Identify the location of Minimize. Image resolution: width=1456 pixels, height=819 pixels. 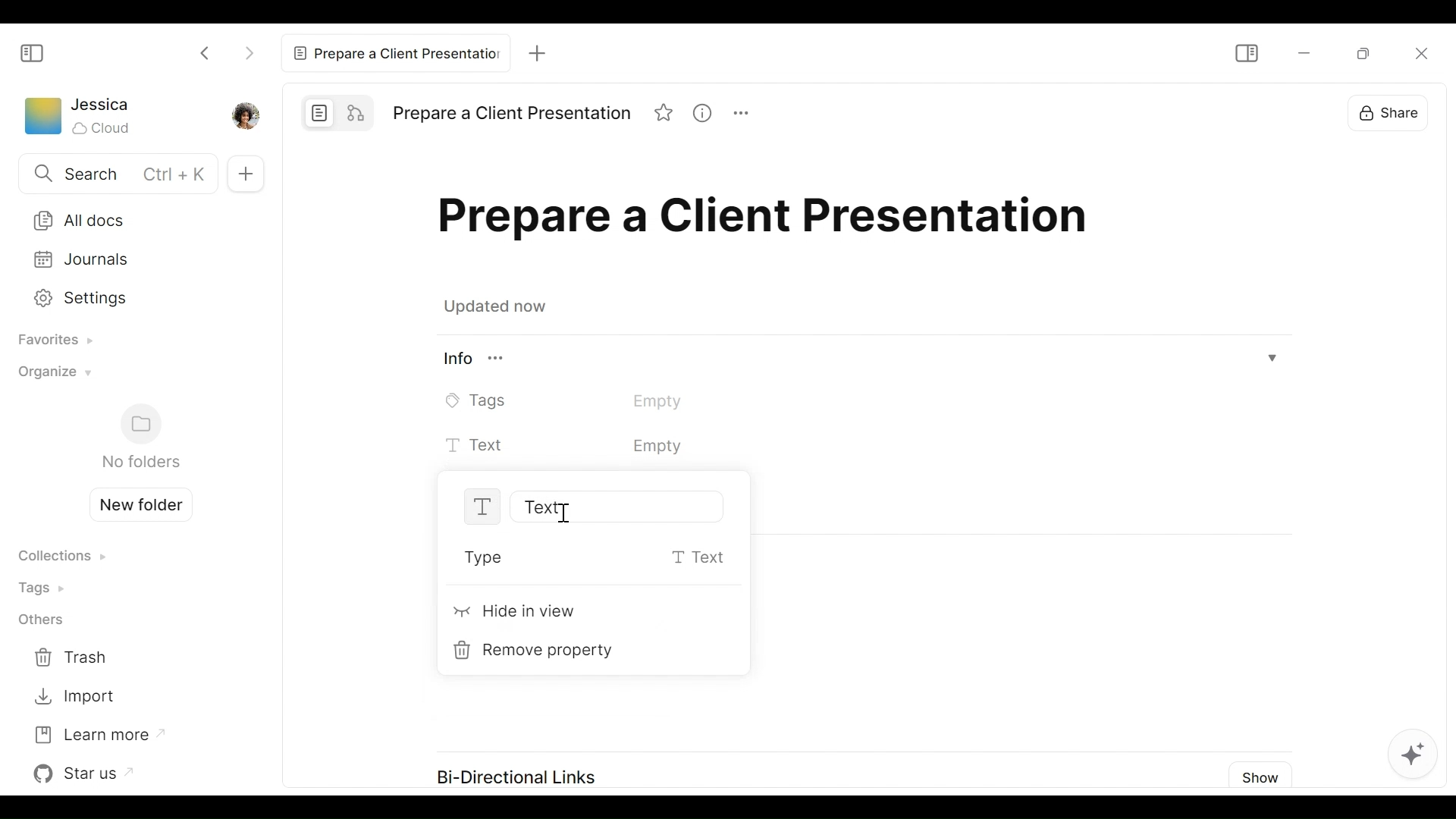
(1360, 54).